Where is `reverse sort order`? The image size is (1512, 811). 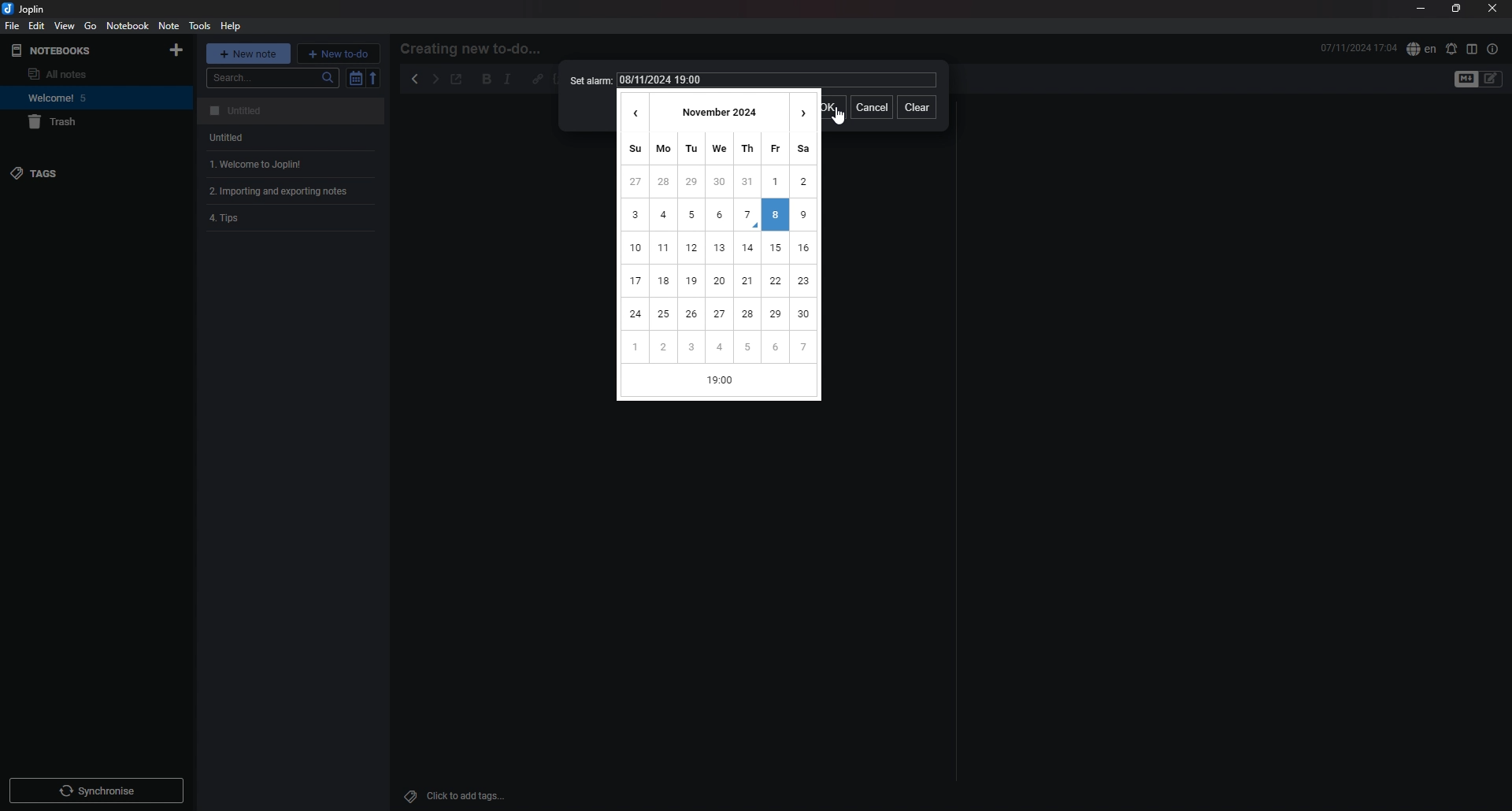
reverse sort order is located at coordinates (374, 78).